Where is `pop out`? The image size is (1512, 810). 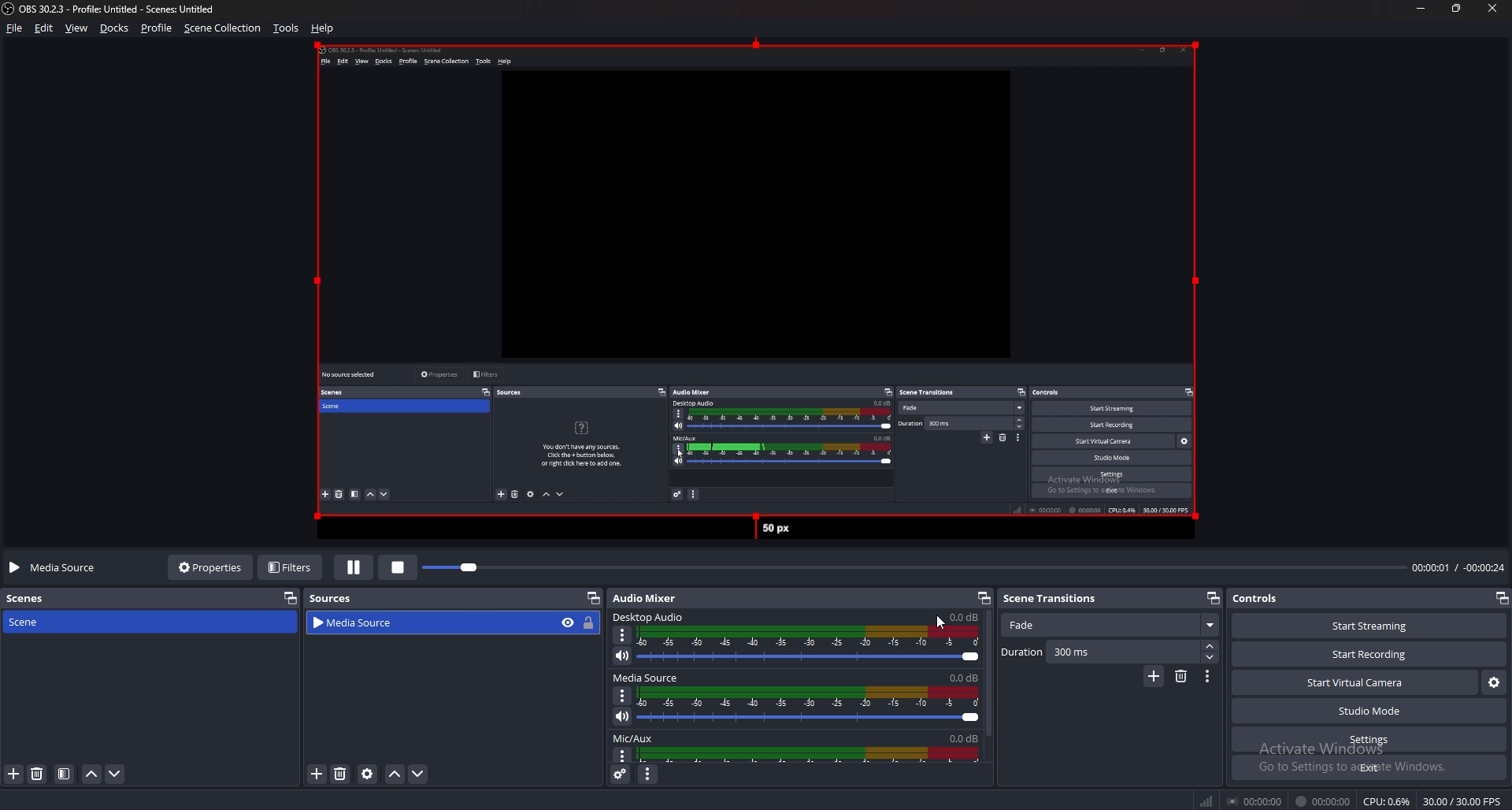 pop out is located at coordinates (595, 598).